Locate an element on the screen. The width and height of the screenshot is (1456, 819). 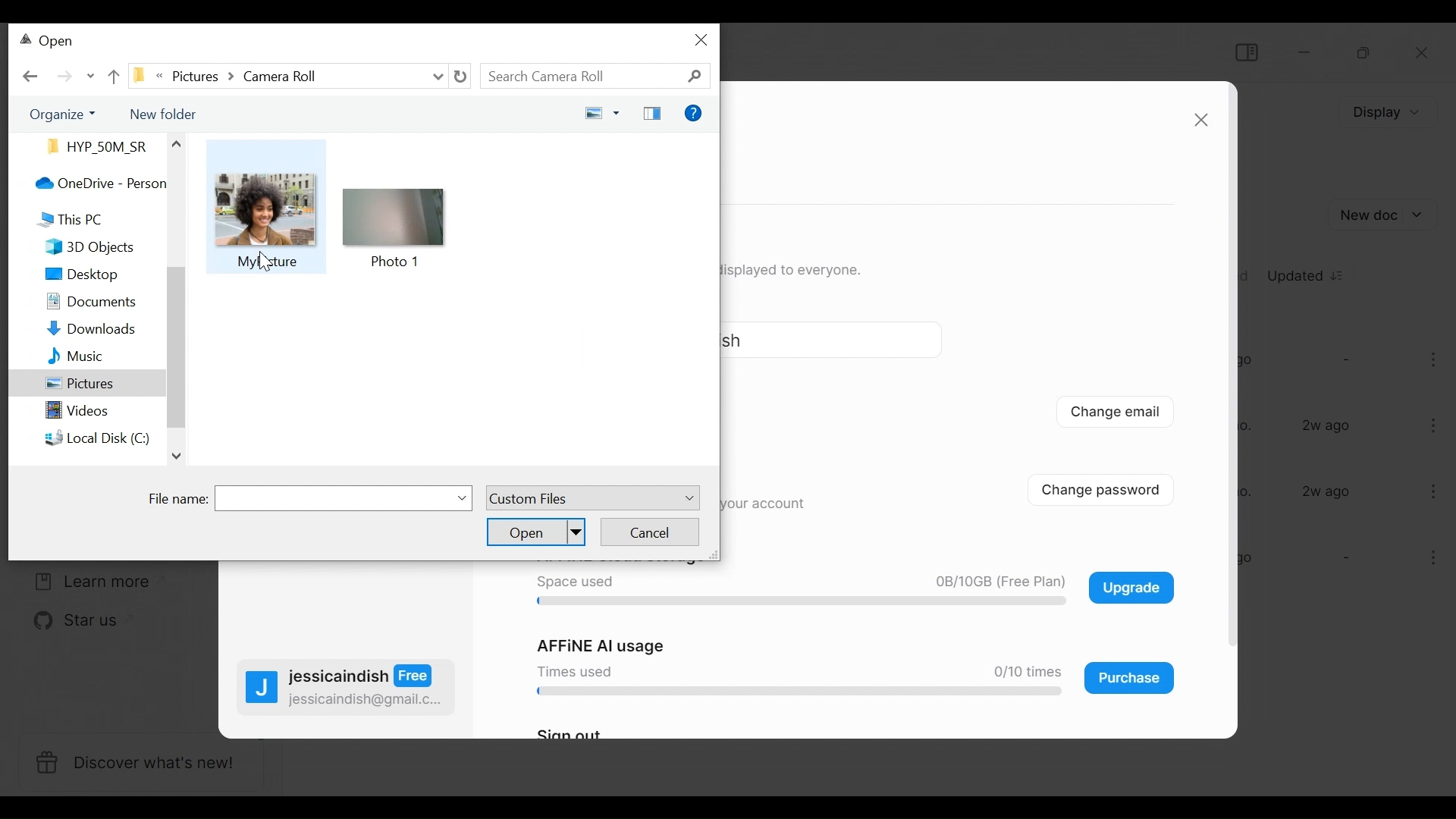
2w ago is located at coordinates (1327, 491).